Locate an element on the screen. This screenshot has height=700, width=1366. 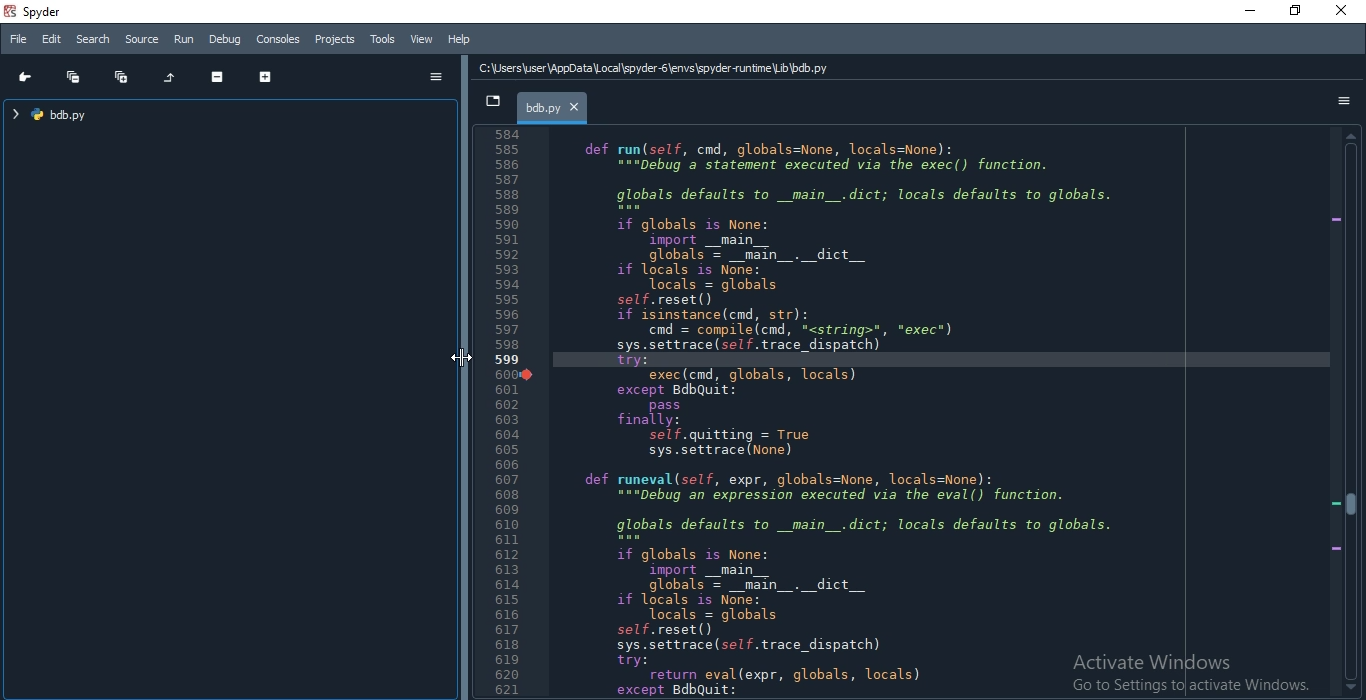
scroll bar is located at coordinates (1351, 412).